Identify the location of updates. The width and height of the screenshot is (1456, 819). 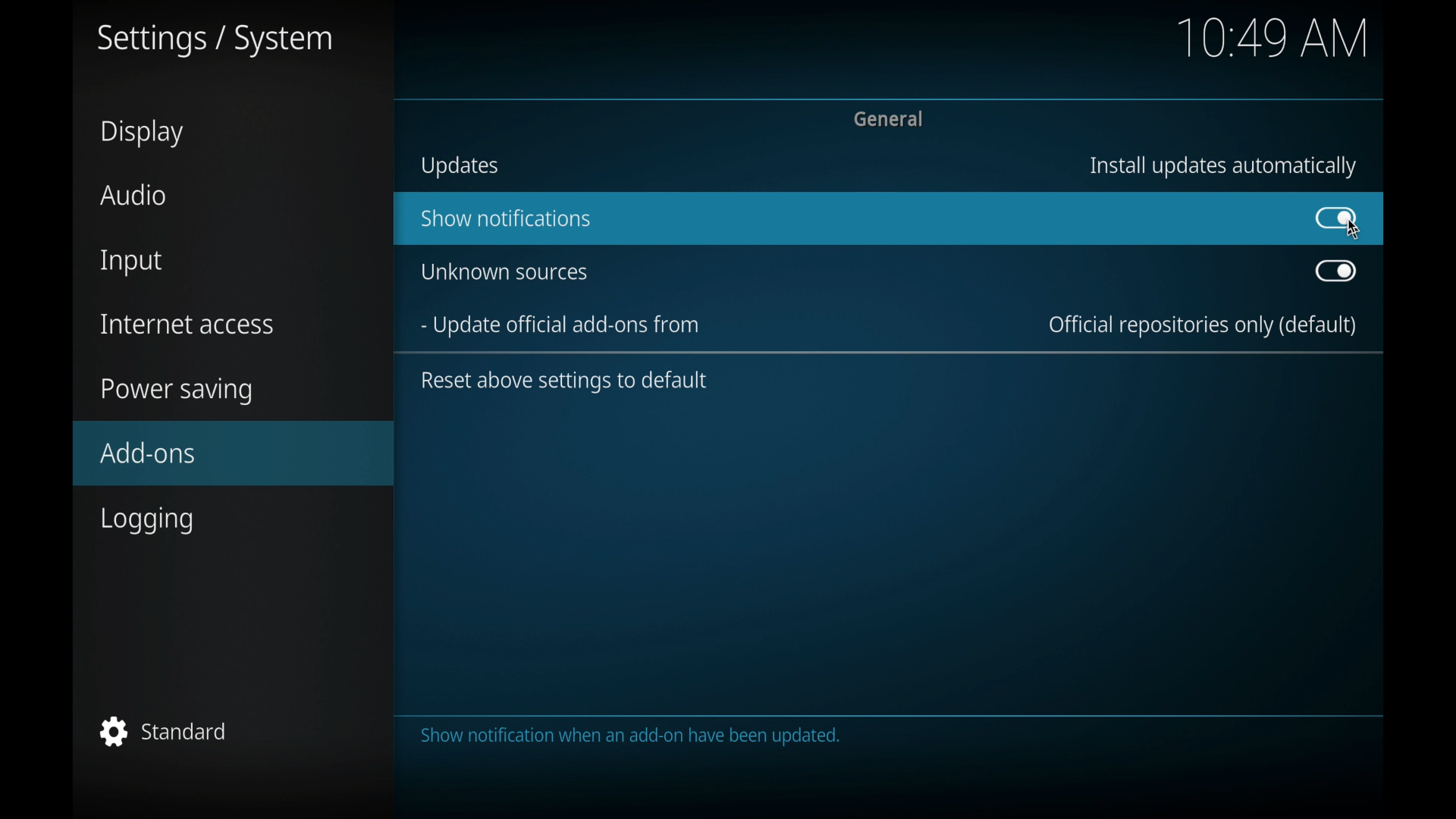
(459, 166).